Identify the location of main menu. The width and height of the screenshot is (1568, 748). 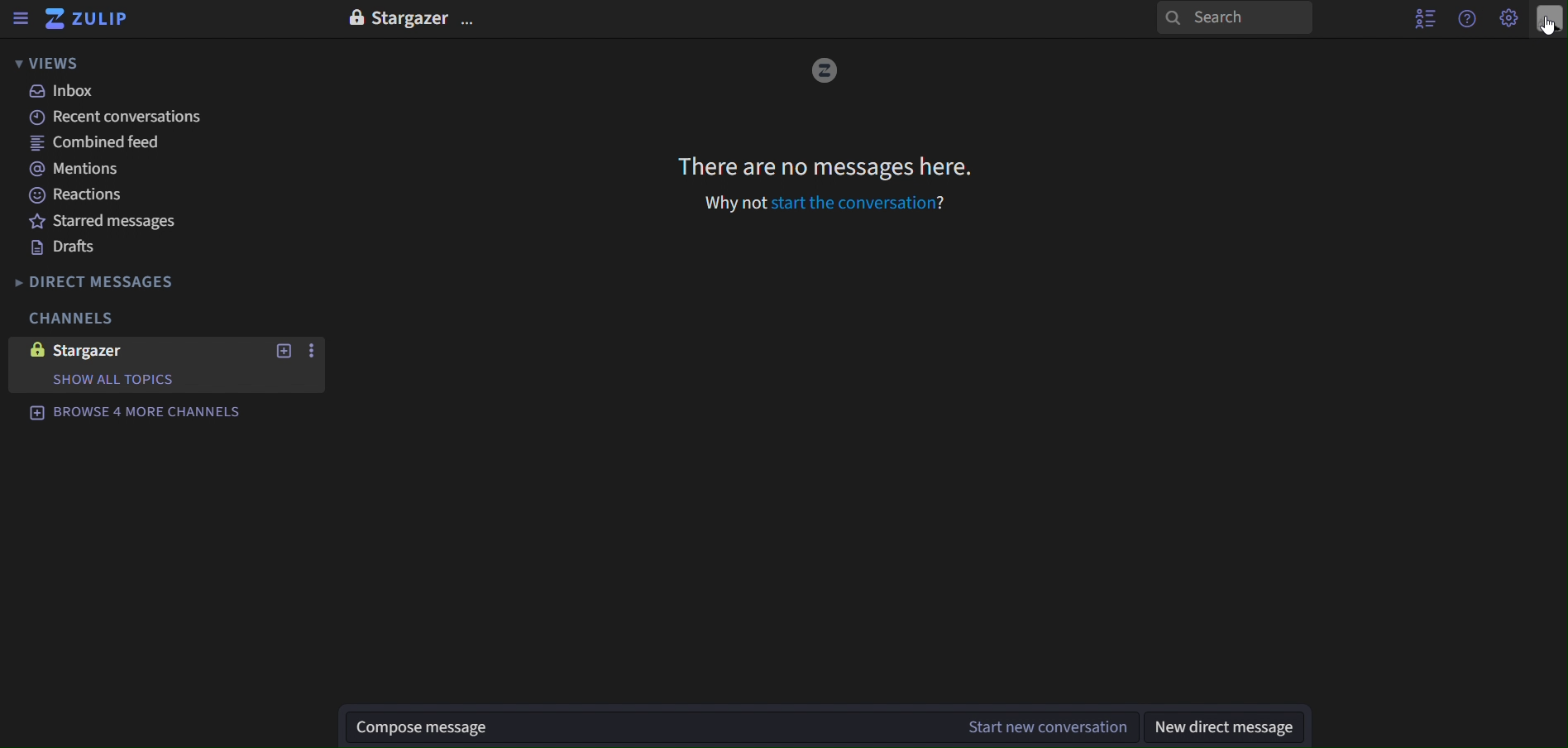
(1509, 19).